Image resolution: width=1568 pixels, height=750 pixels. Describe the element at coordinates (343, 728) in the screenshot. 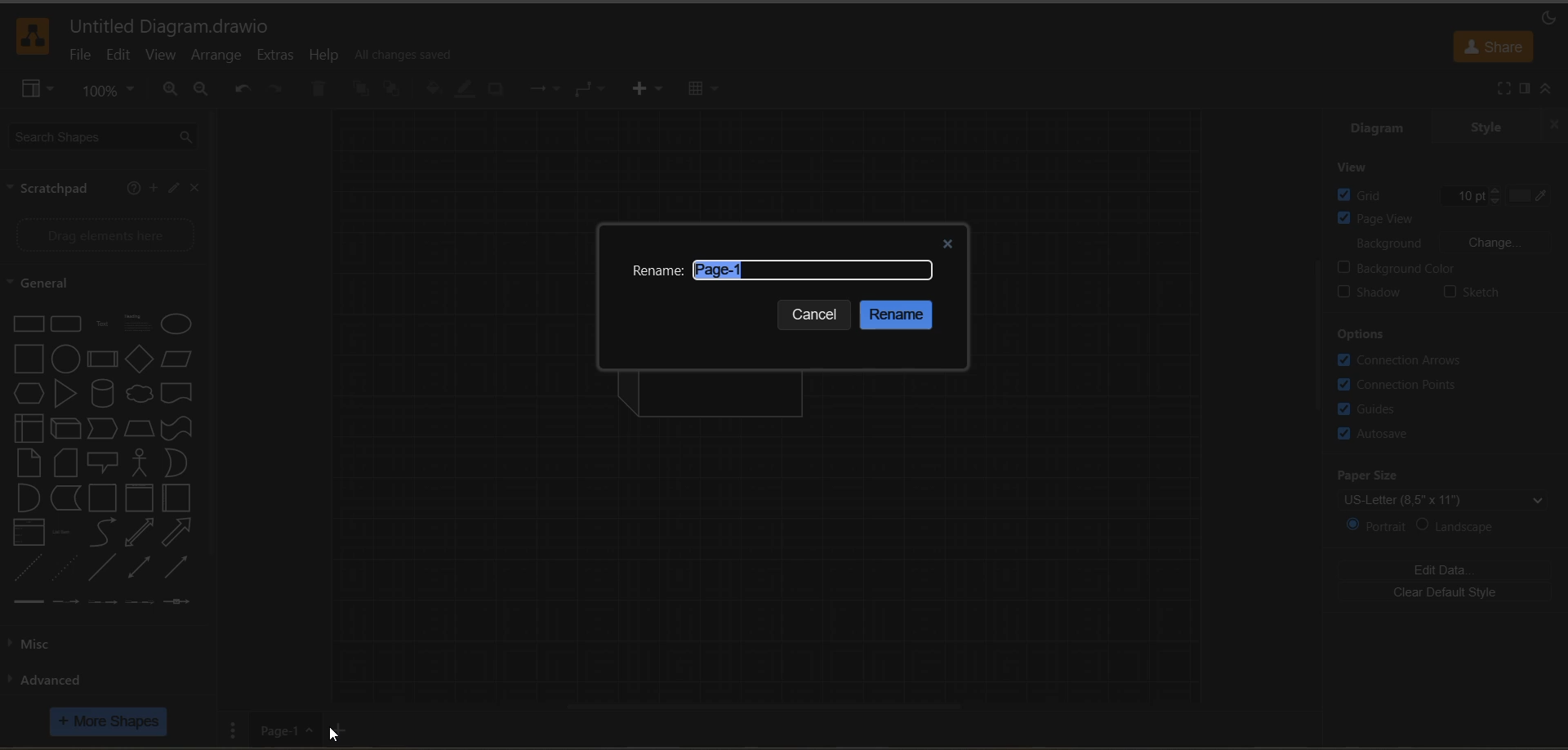

I see `Cursor on insert page` at that location.